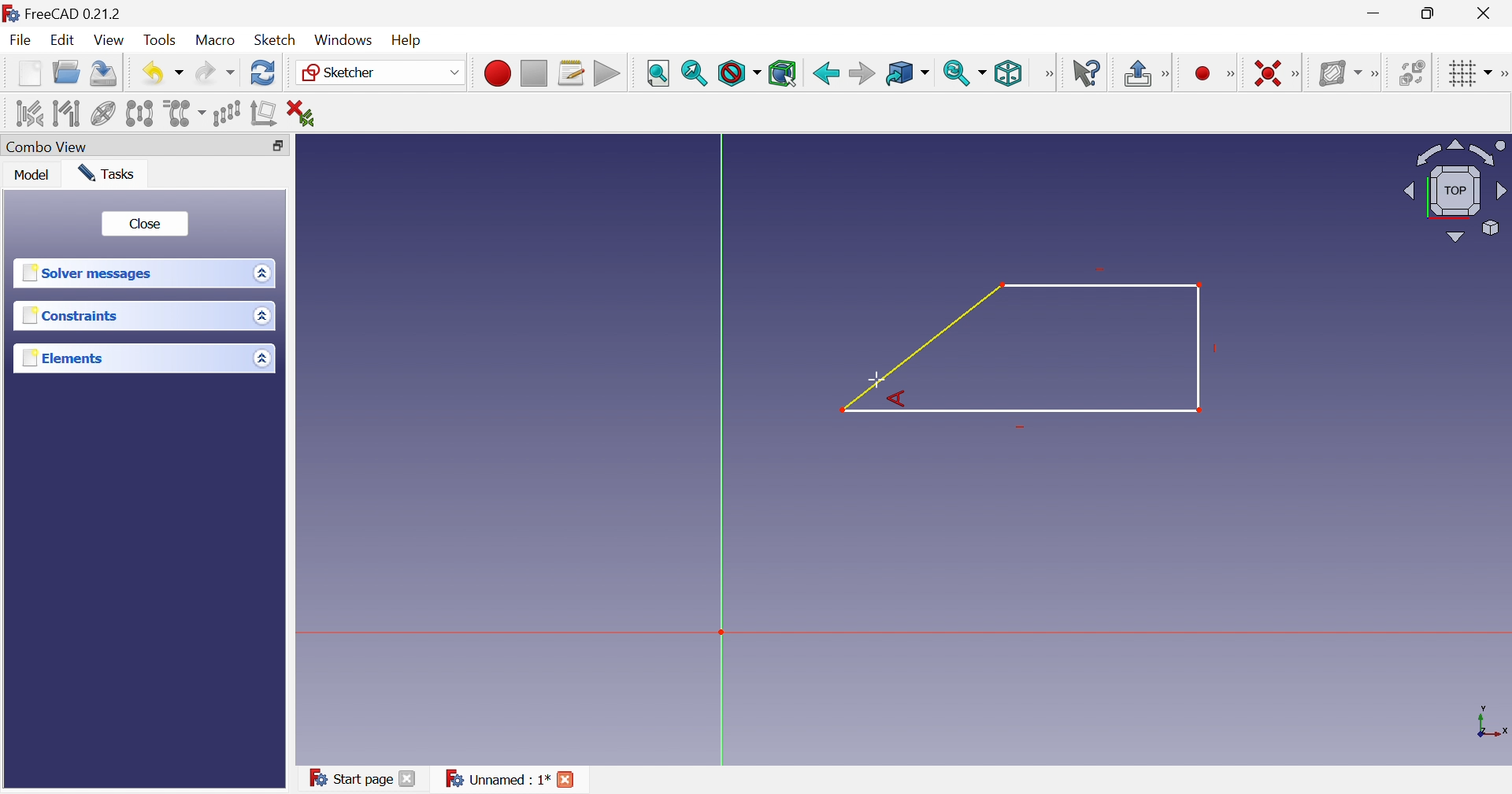 Image resolution: width=1512 pixels, height=794 pixels. What do you see at coordinates (213, 76) in the screenshot?
I see `Redo` at bounding box center [213, 76].